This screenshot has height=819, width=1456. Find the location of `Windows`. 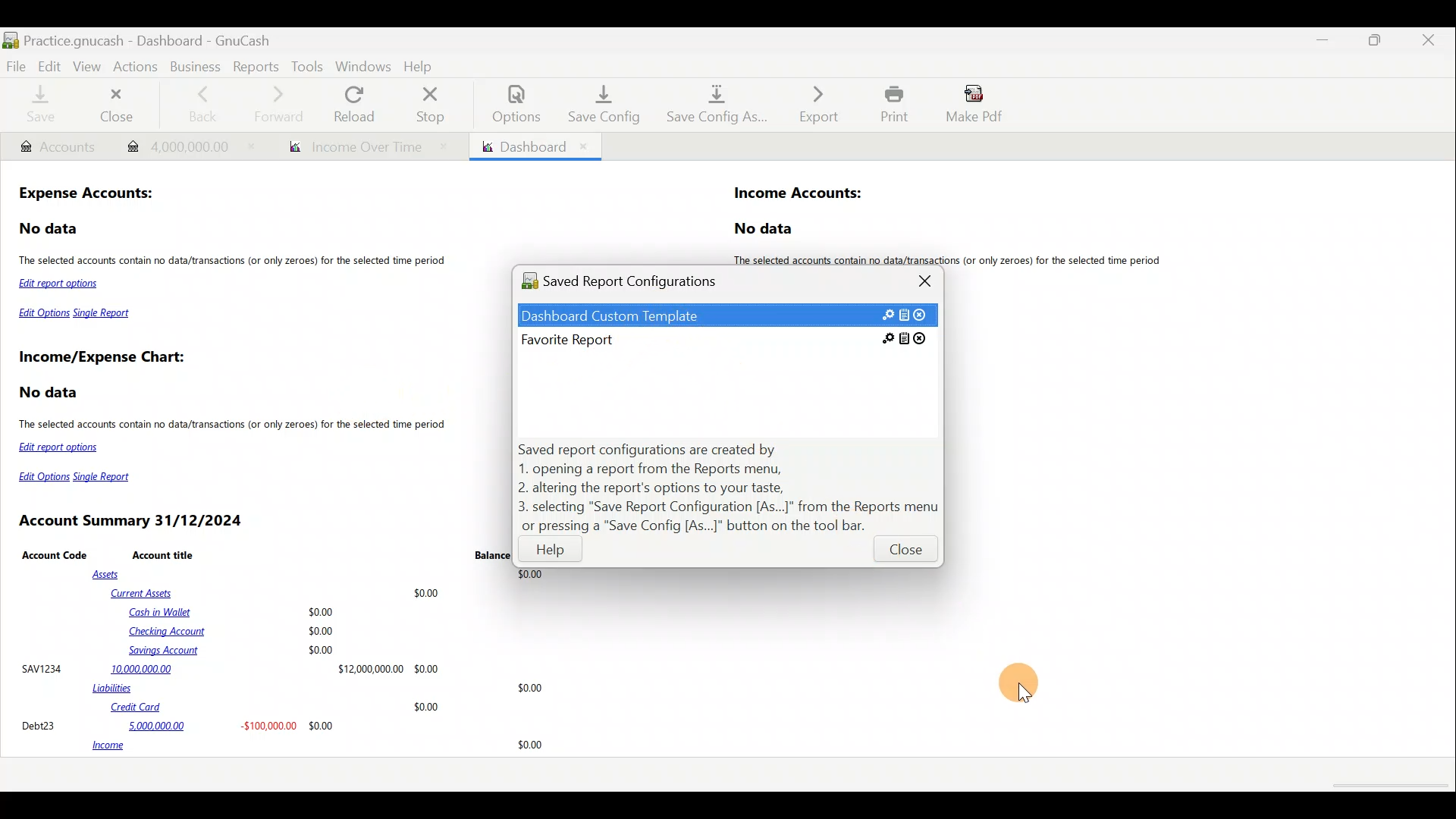

Windows is located at coordinates (363, 66).